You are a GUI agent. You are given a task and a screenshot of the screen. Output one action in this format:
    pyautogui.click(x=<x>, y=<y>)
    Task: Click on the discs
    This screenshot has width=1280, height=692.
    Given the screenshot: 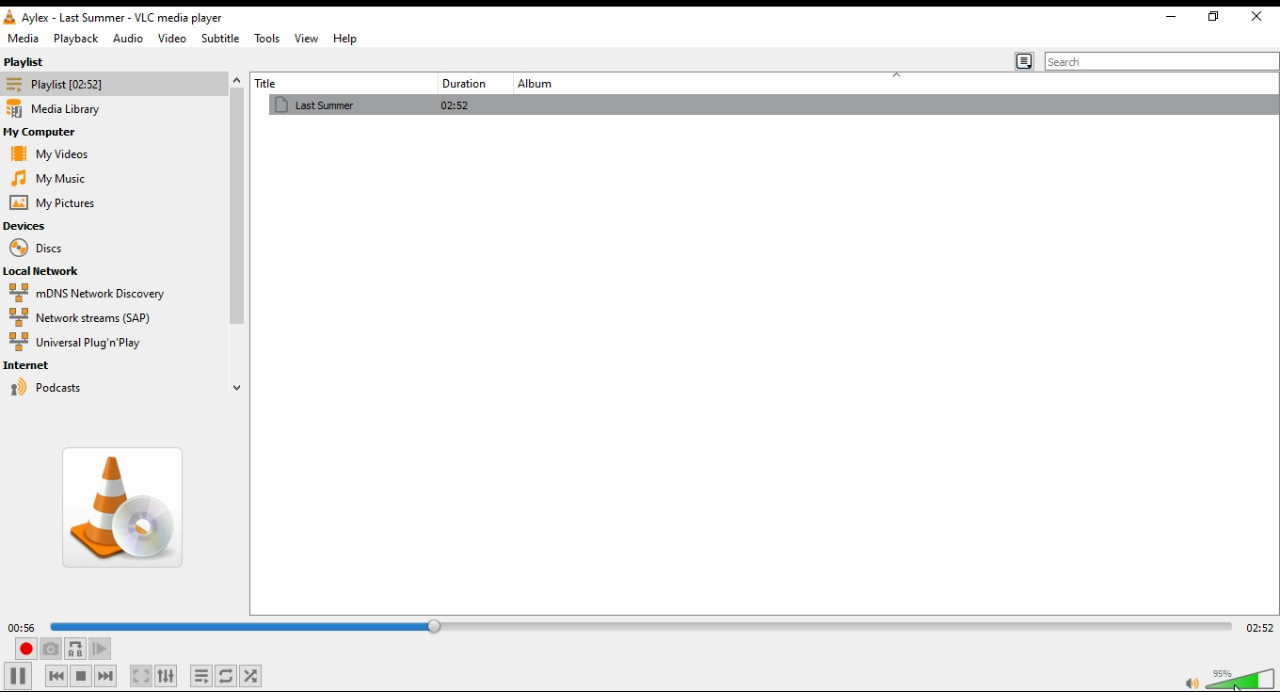 What is the action you would take?
    pyautogui.click(x=34, y=248)
    